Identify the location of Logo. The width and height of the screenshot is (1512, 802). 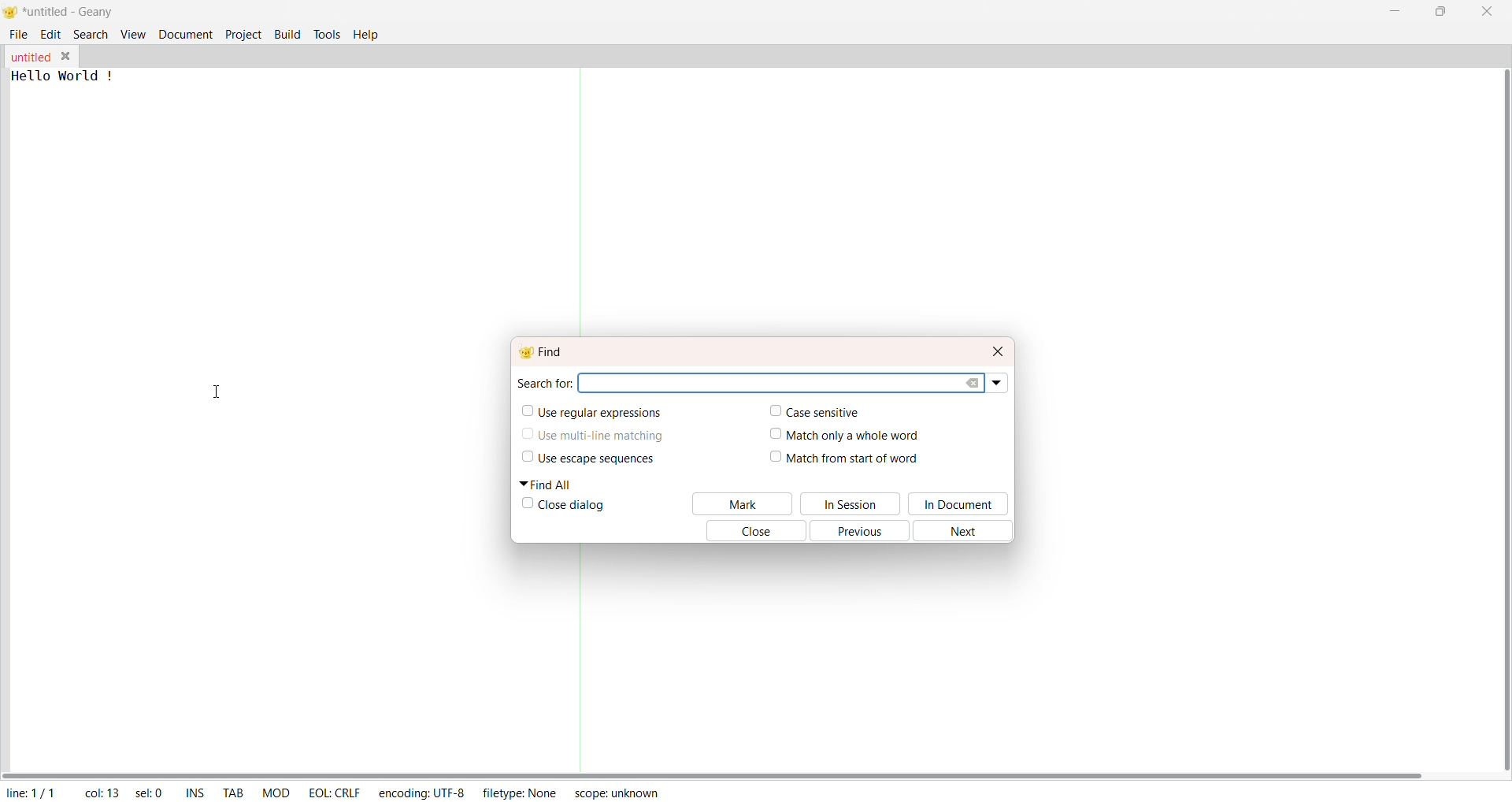
(13, 13).